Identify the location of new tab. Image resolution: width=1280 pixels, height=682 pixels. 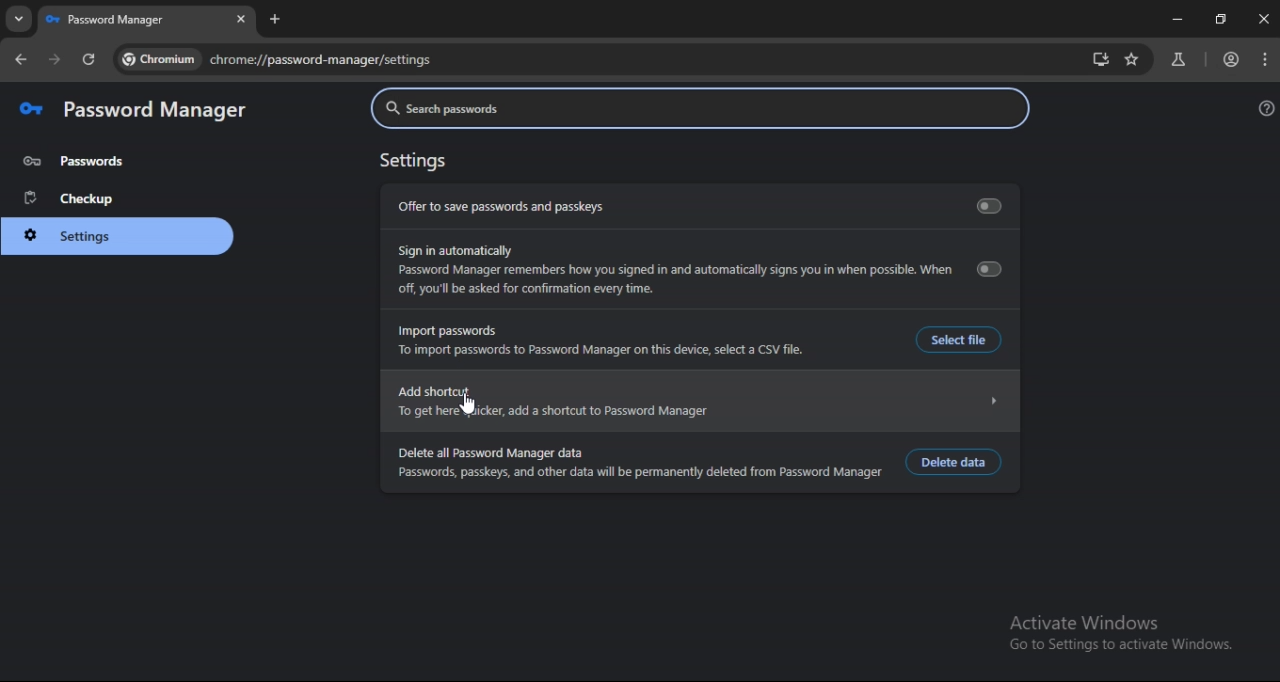
(275, 19).